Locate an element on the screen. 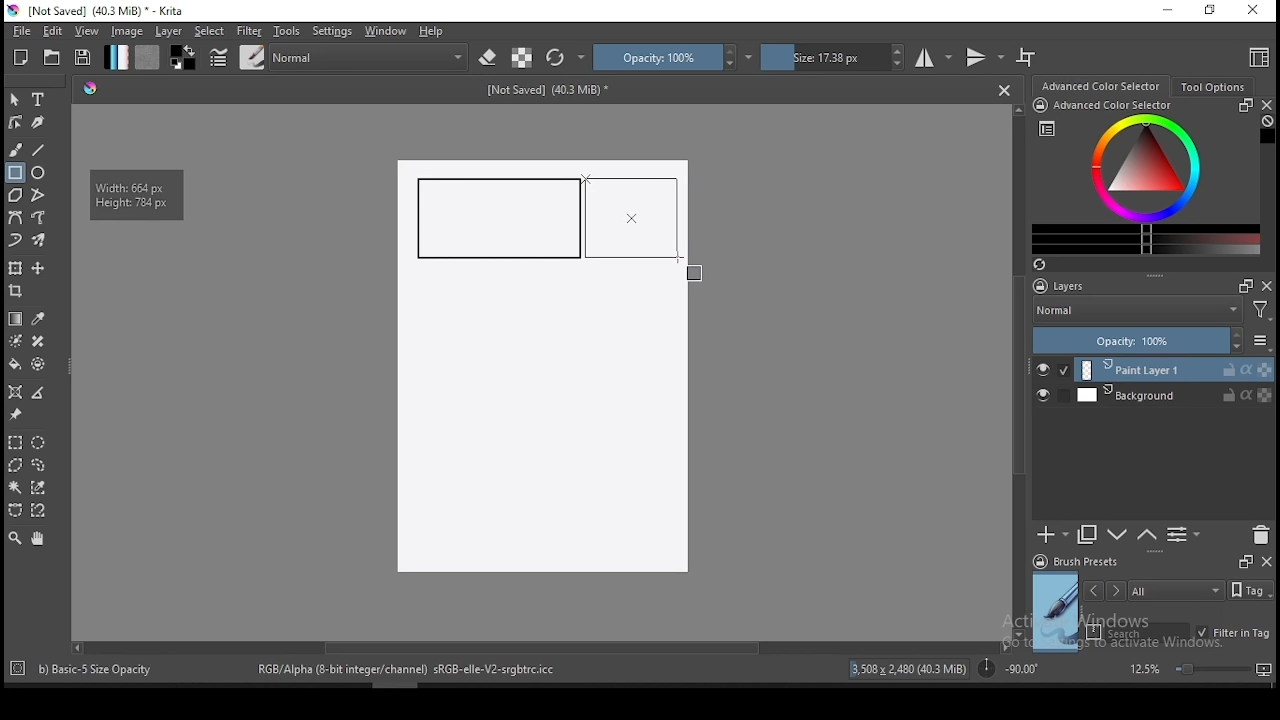  blending mode is located at coordinates (370, 57).